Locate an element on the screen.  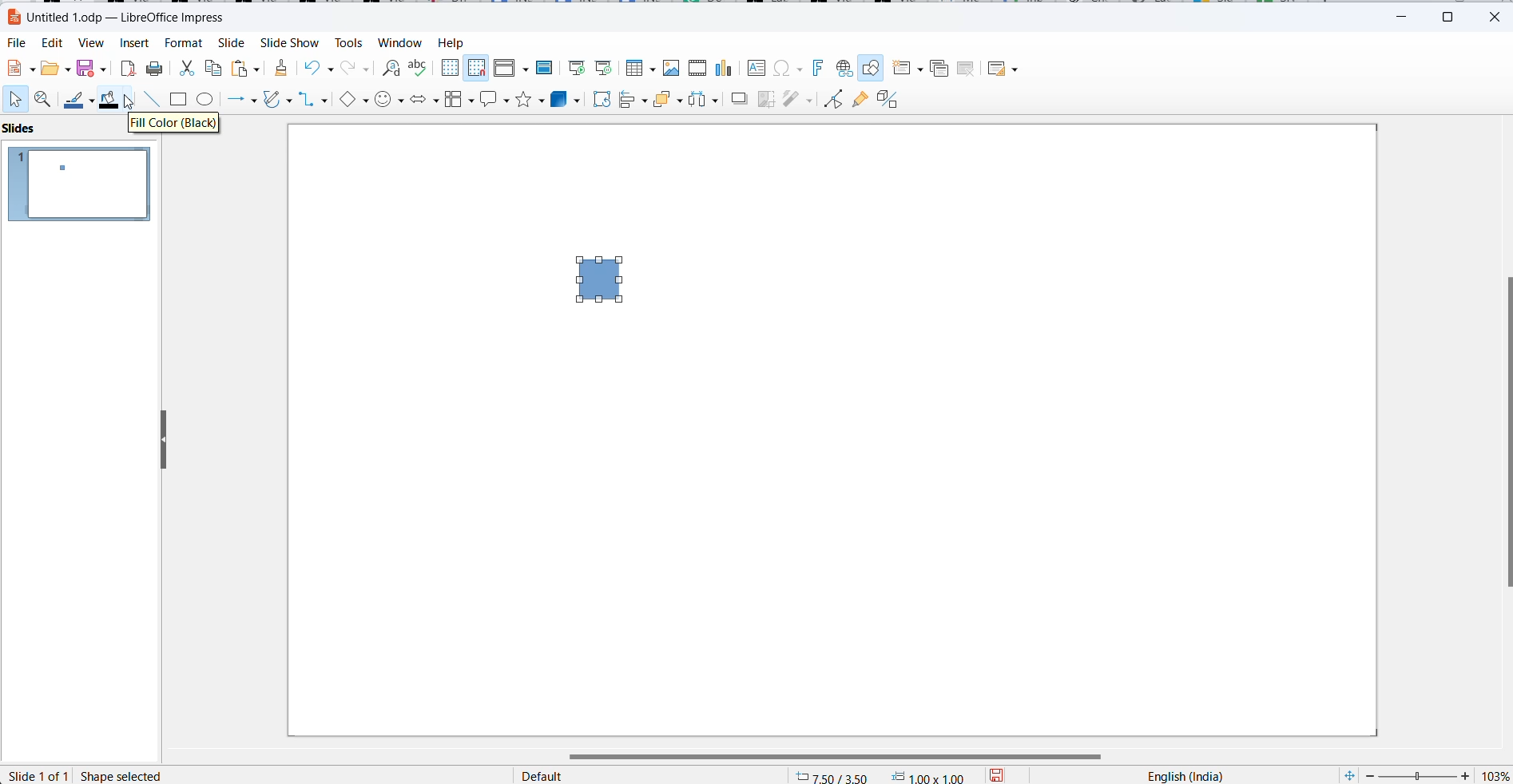
help is located at coordinates (451, 42).